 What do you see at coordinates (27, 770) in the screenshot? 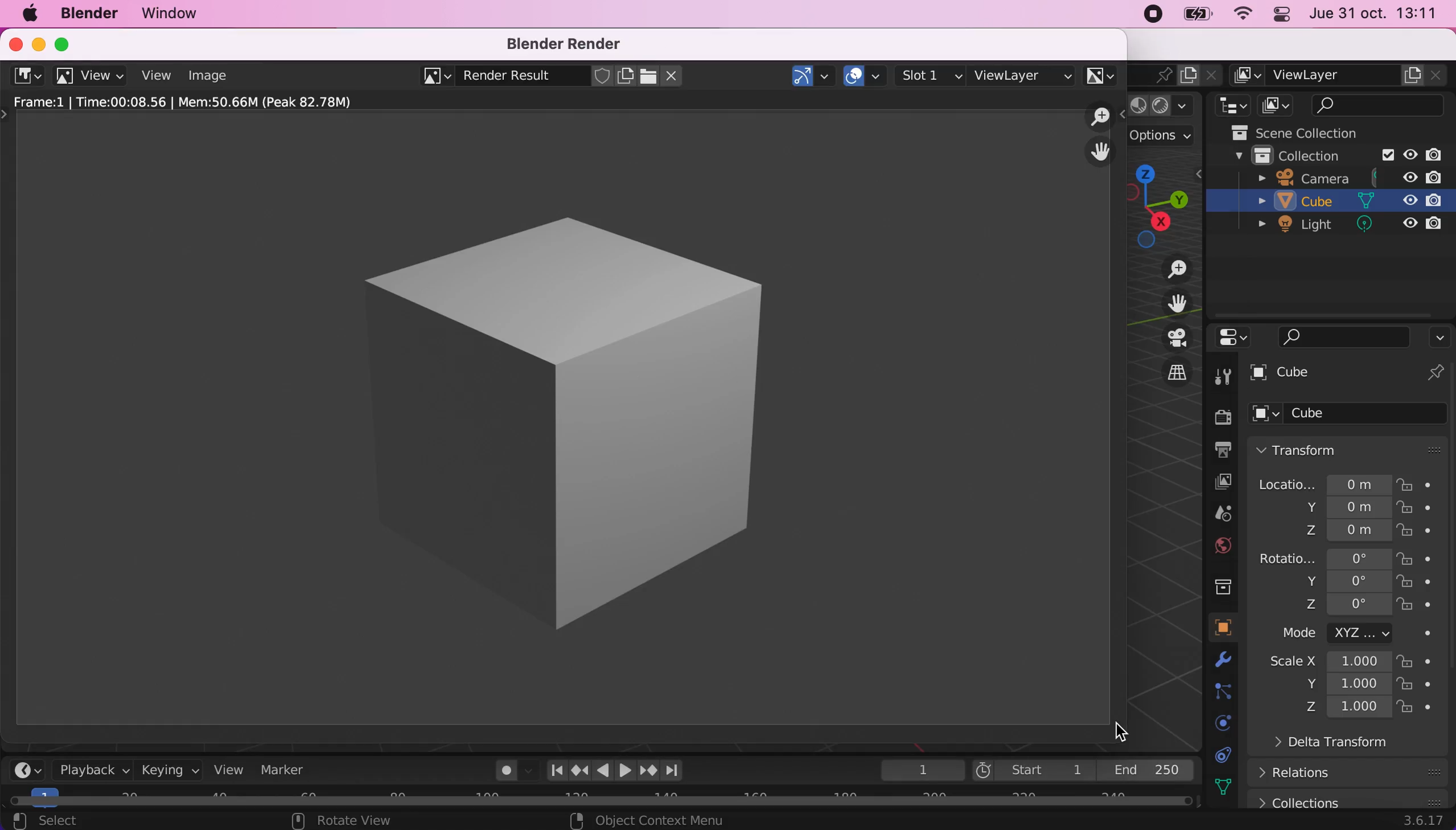
I see `editor type` at bounding box center [27, 770].